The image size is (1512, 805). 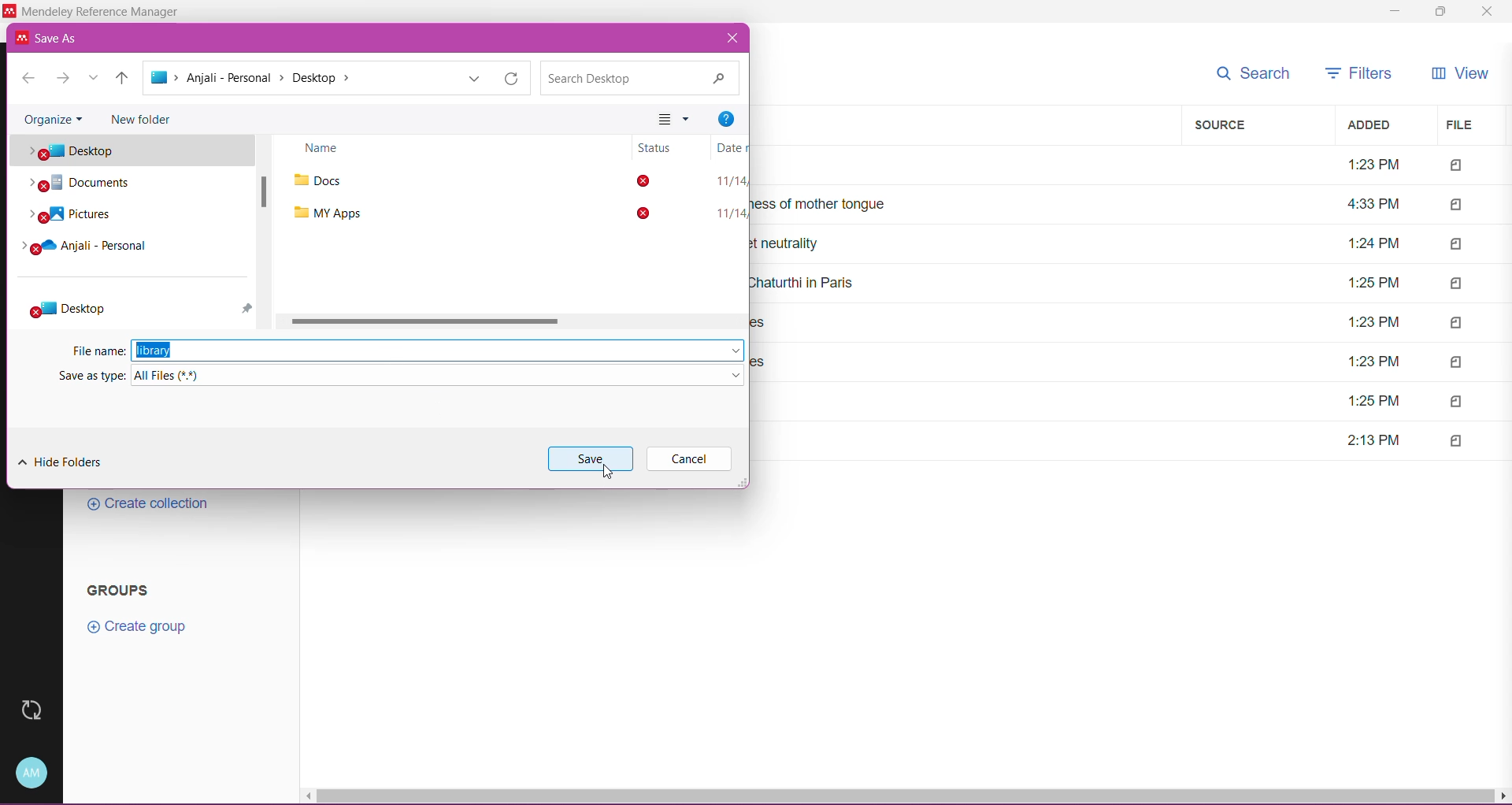 I want to click on Search in the current ocation, so click(x=641, y=78).